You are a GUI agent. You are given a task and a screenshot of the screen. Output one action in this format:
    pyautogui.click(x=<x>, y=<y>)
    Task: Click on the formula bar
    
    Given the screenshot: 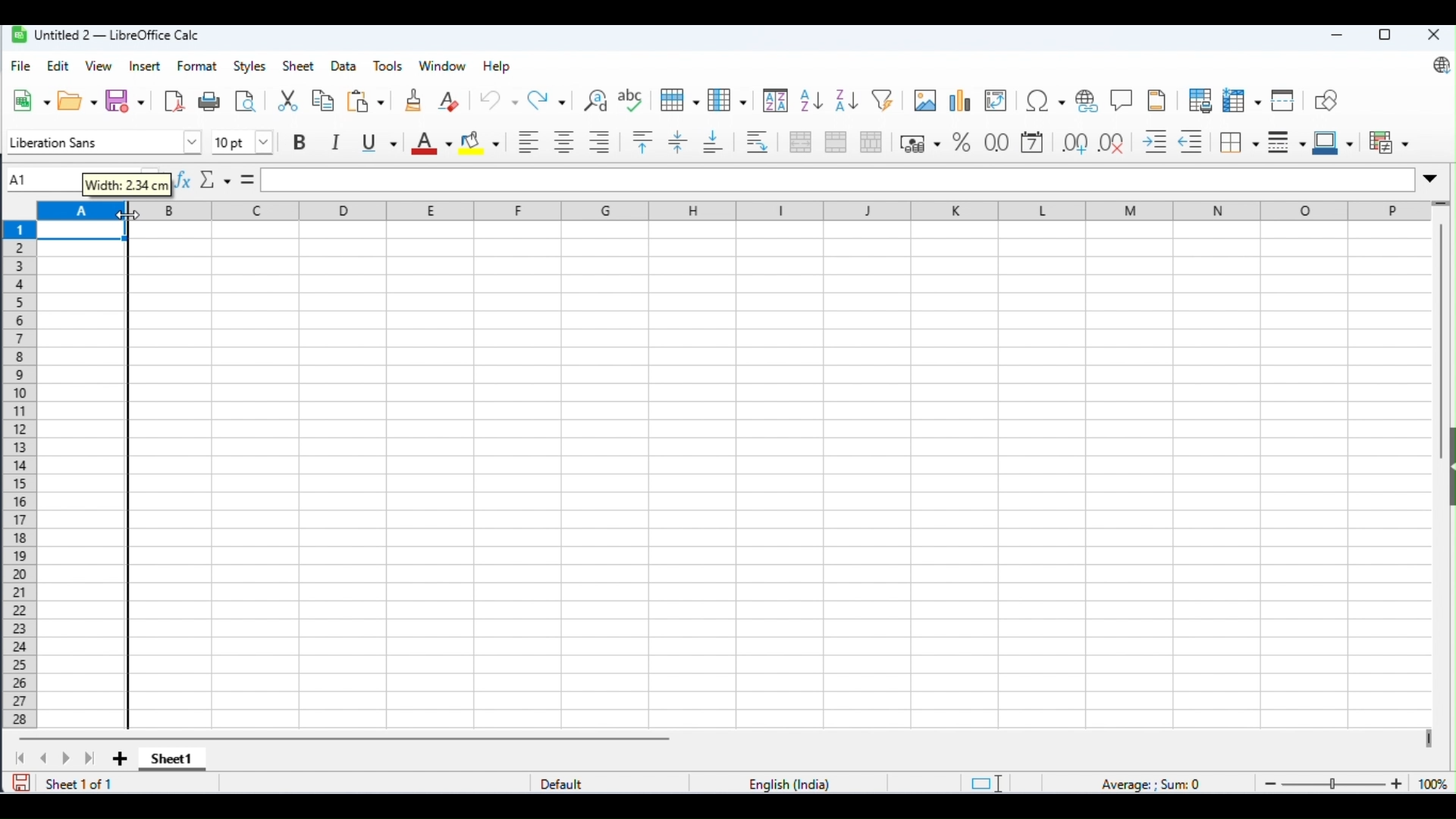 What is the action you would take?
    pyautogui.click(x=836, y=180)
    